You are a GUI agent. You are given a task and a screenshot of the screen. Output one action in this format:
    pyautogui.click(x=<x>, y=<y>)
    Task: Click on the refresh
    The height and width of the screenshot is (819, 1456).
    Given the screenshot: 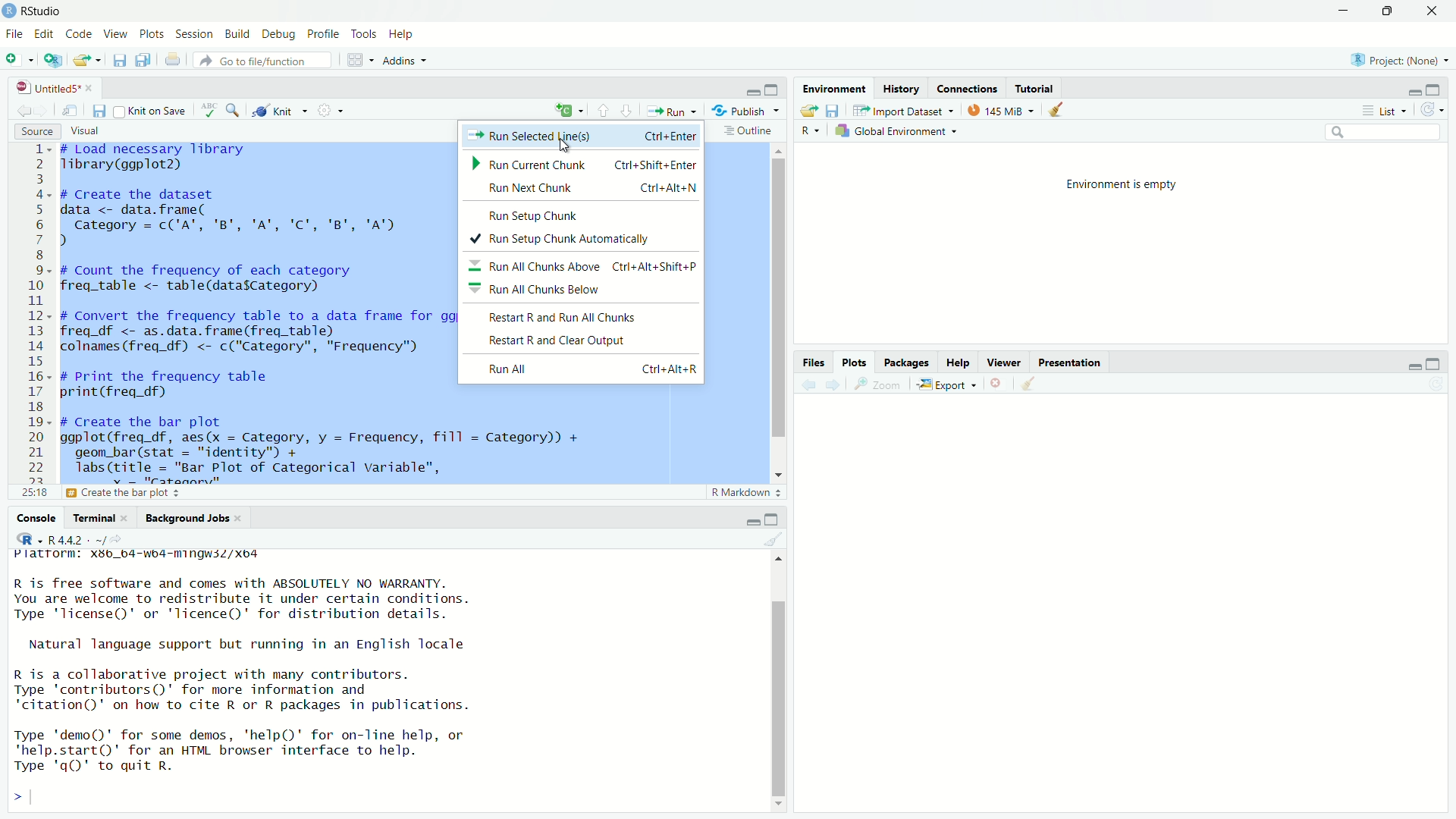 What is the action you would take?
    pyautogui.click(x=1432, y=110)
    